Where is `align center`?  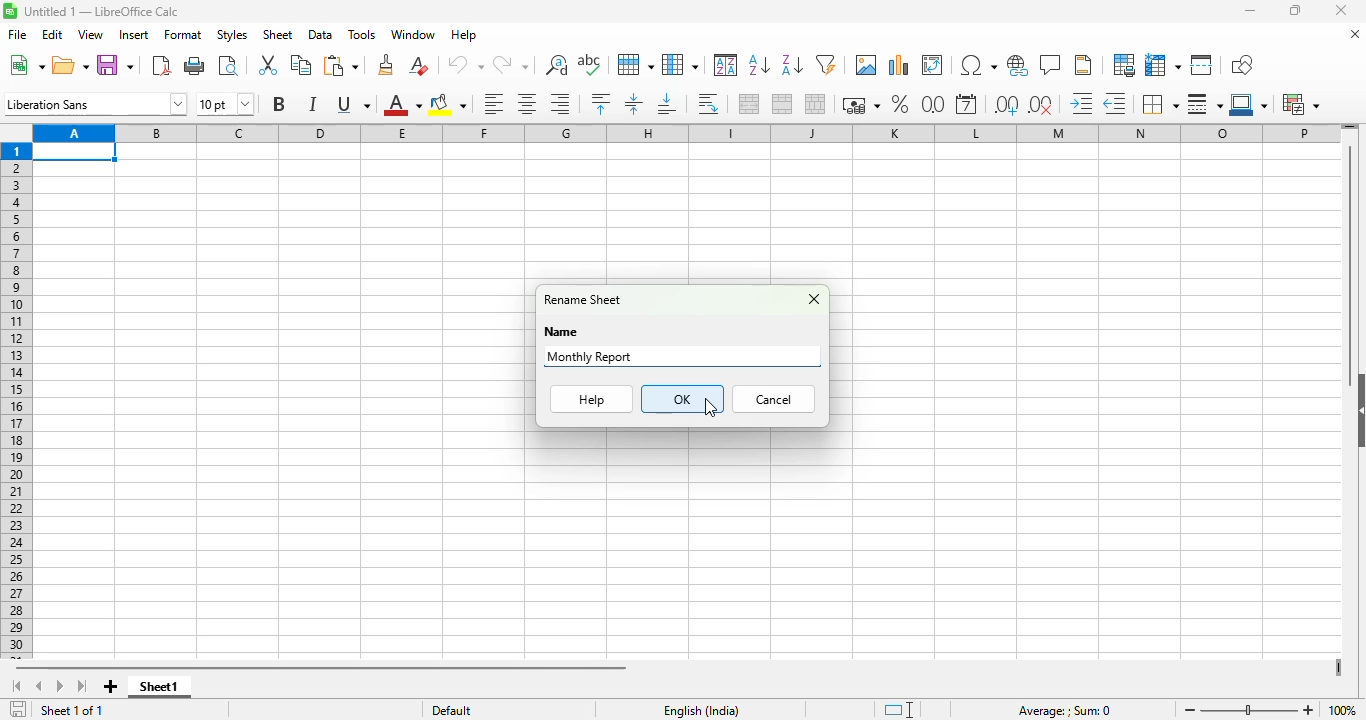
align center is located at coordinates (528, 104).